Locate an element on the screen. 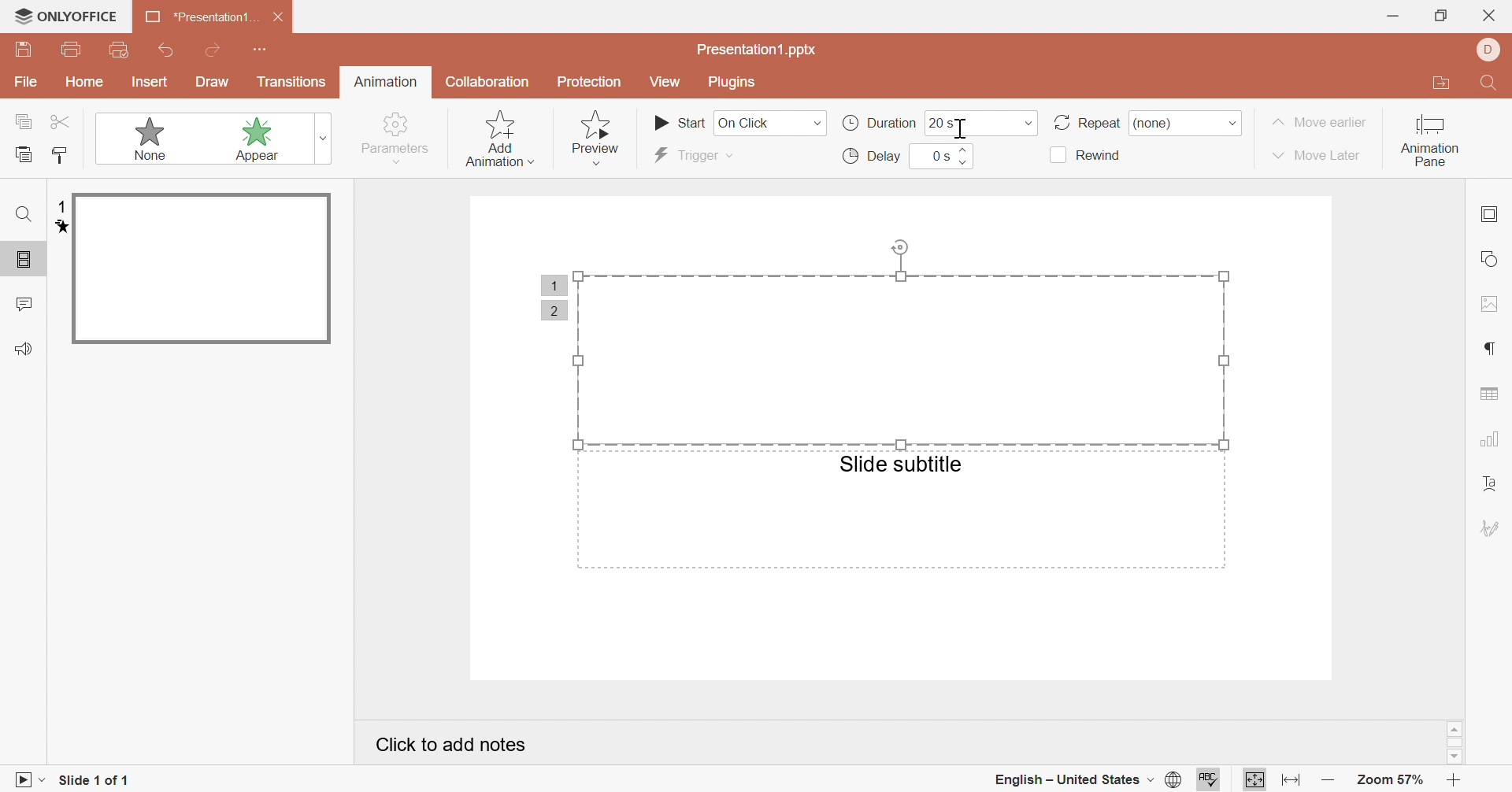  more animations is located at coordinates (325, 138).